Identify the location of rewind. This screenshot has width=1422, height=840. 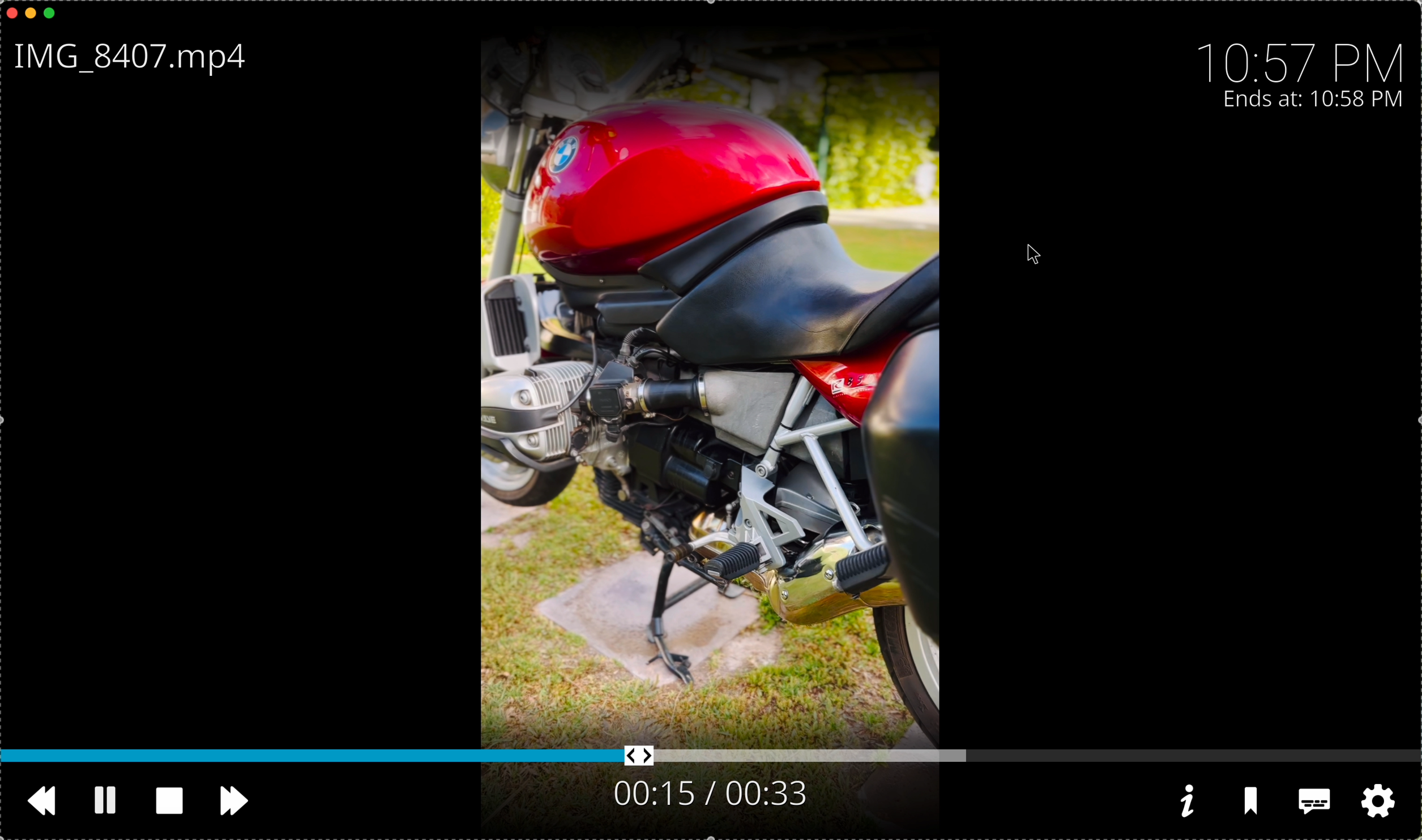
(46, 806).